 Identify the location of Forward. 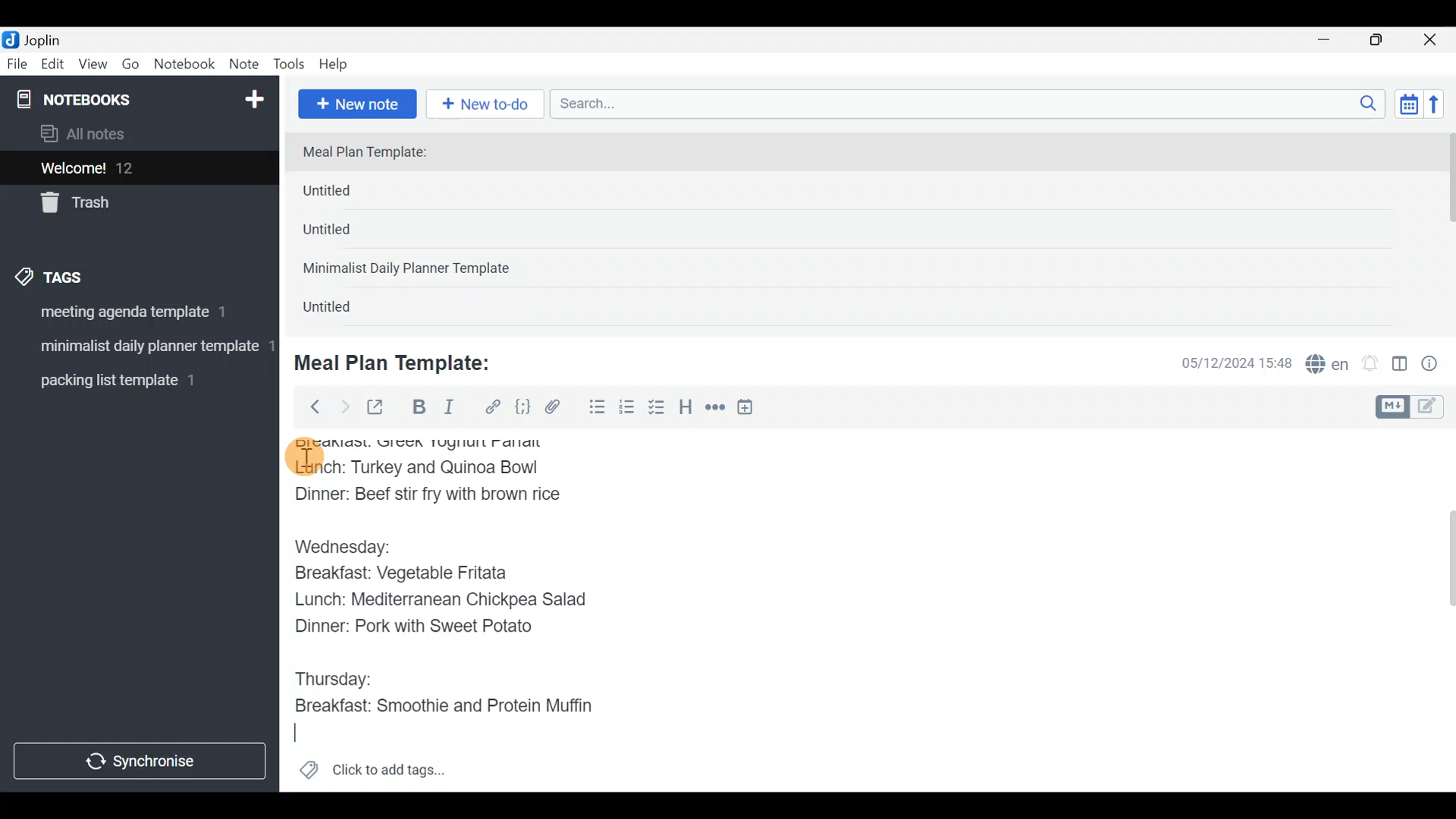
(344, 406).